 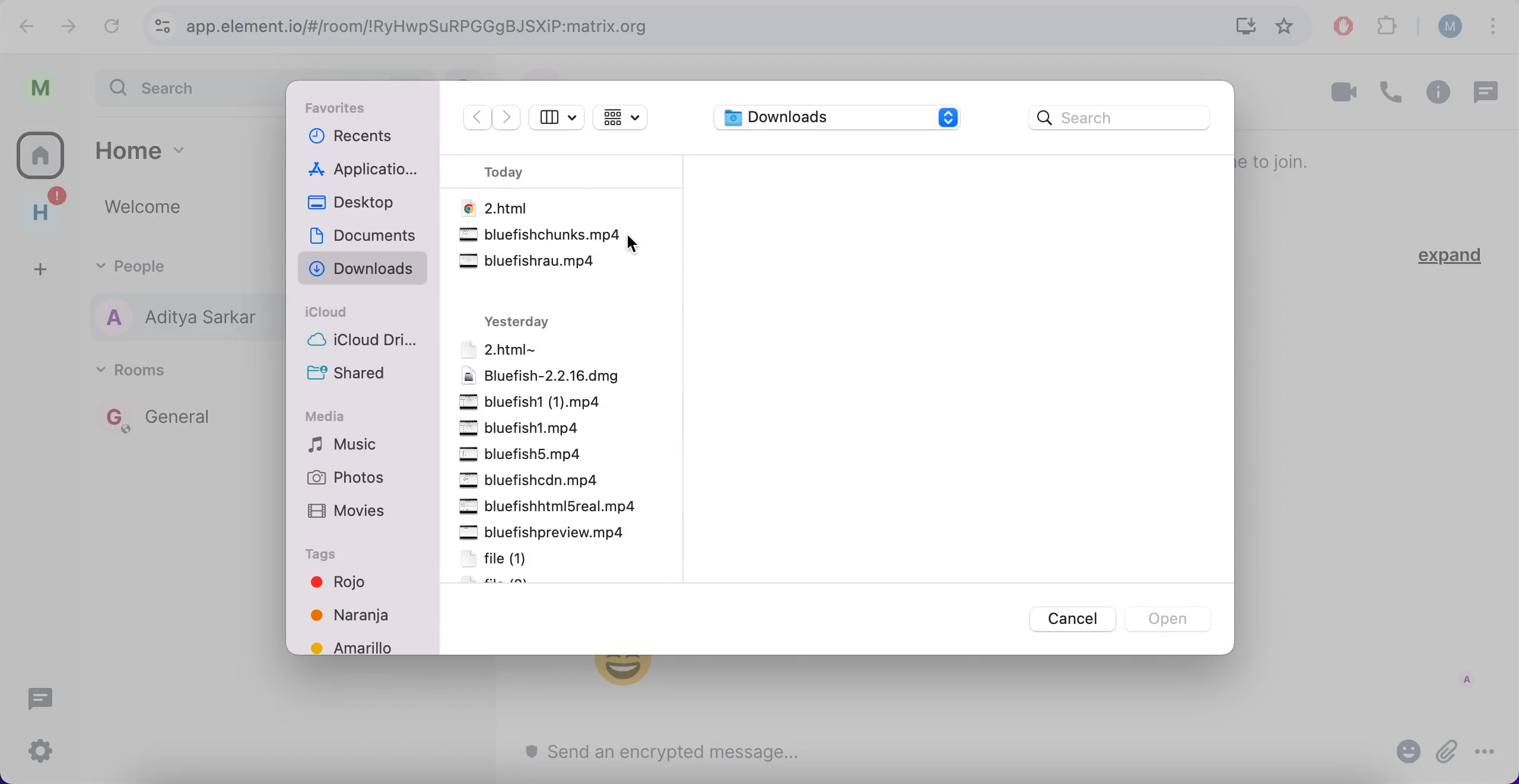 What do you see at coordinates (1485, 91) in the screenshot?
I see `chat` at bounding box center [1485, 91].